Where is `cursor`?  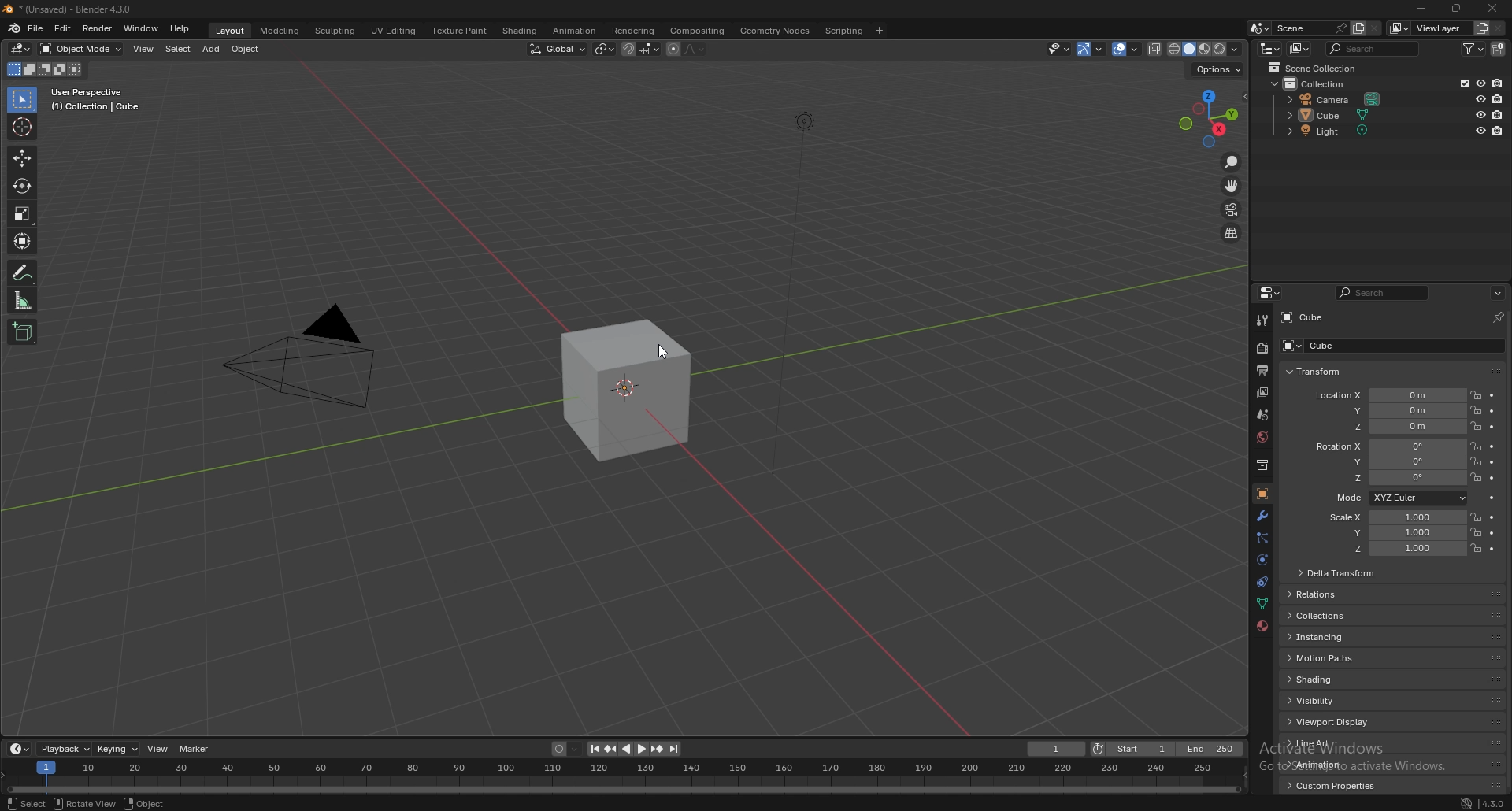
cursor is located at coordinates (22, 127).